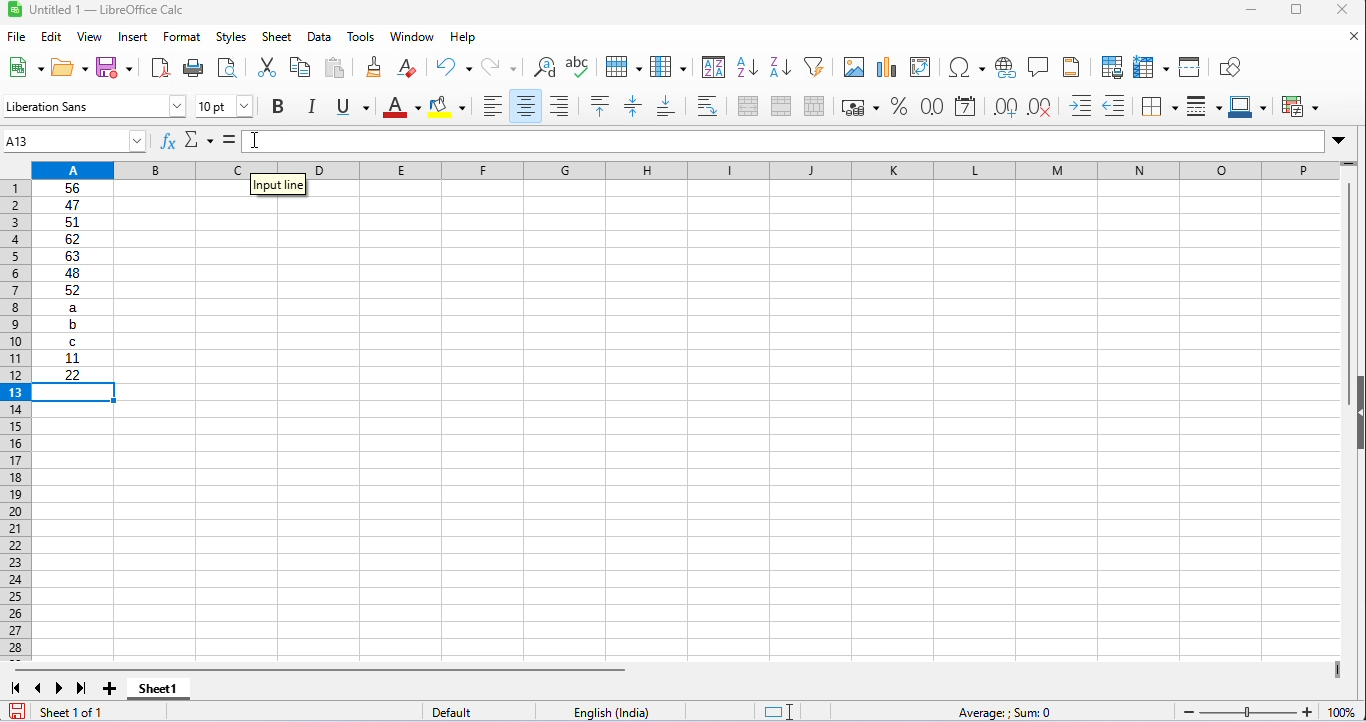  What do you see at coordinates (685, 171) in the screenshot?
I see `column headings` at bounding box center [685, 171].